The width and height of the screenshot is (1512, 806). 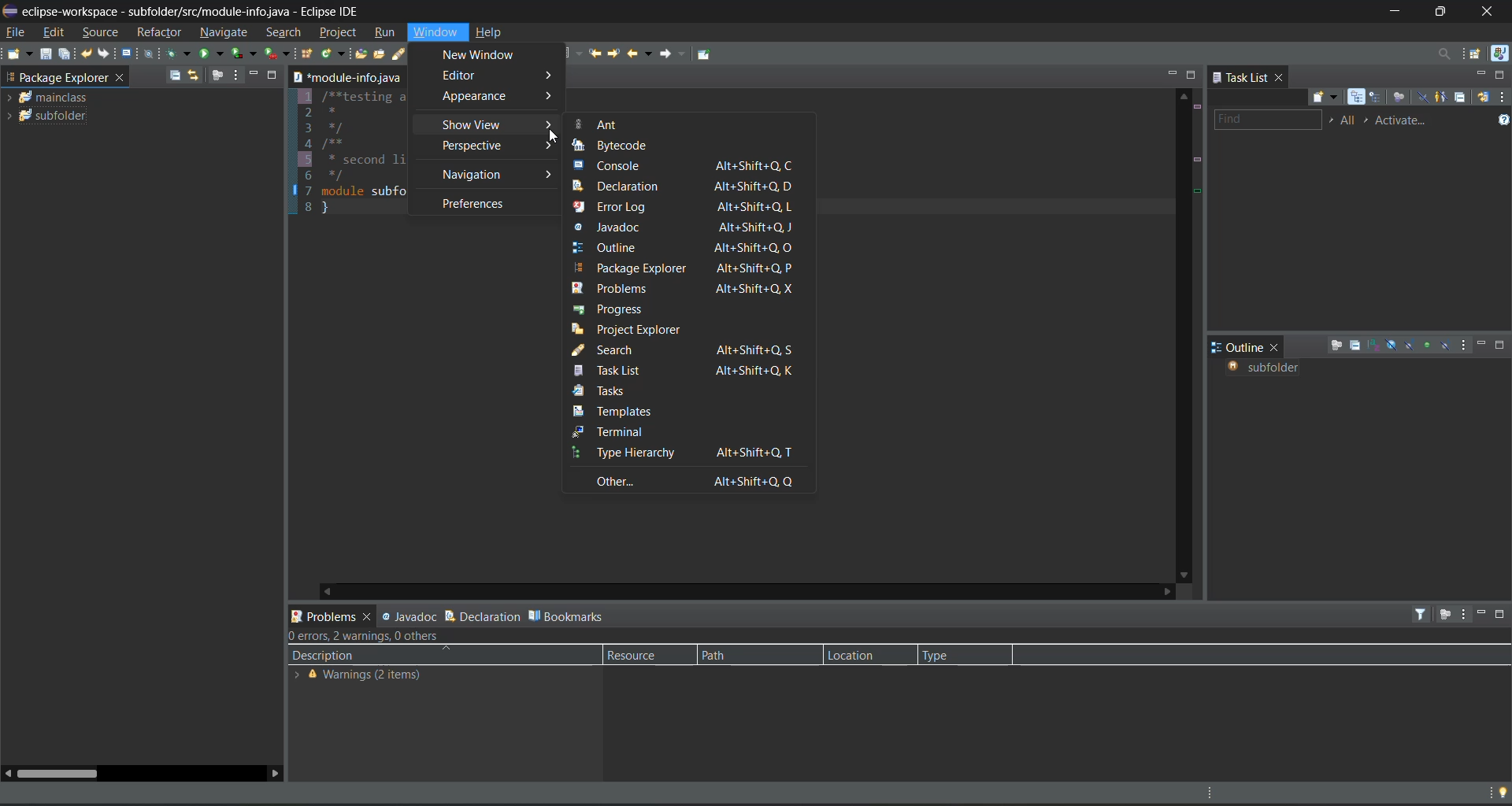 What do you see at coordinates (106, 54) in the screenshot?
I see `redo` at bounding box center [106, 54].